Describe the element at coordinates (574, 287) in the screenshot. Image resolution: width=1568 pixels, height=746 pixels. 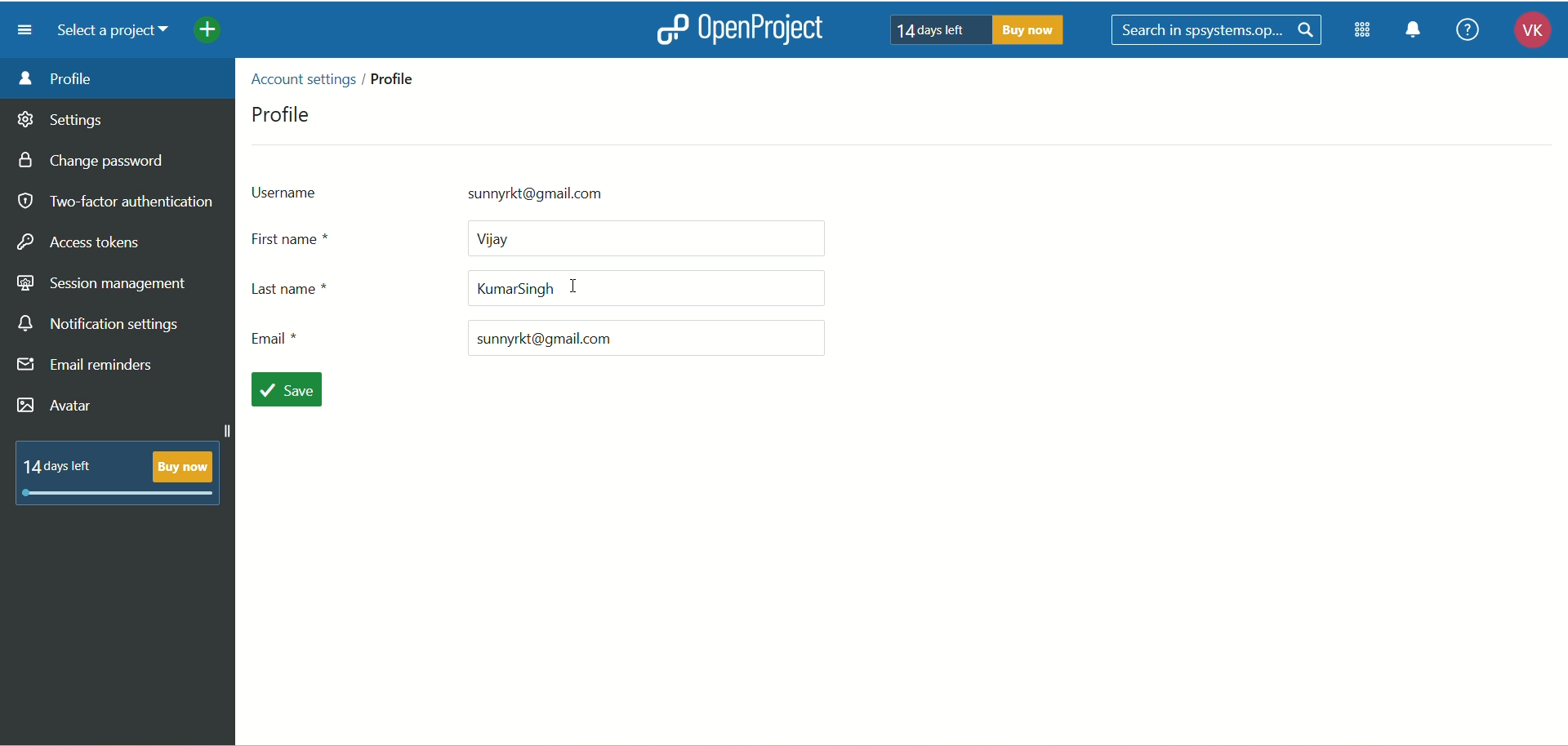
I see `cursor` at that location.